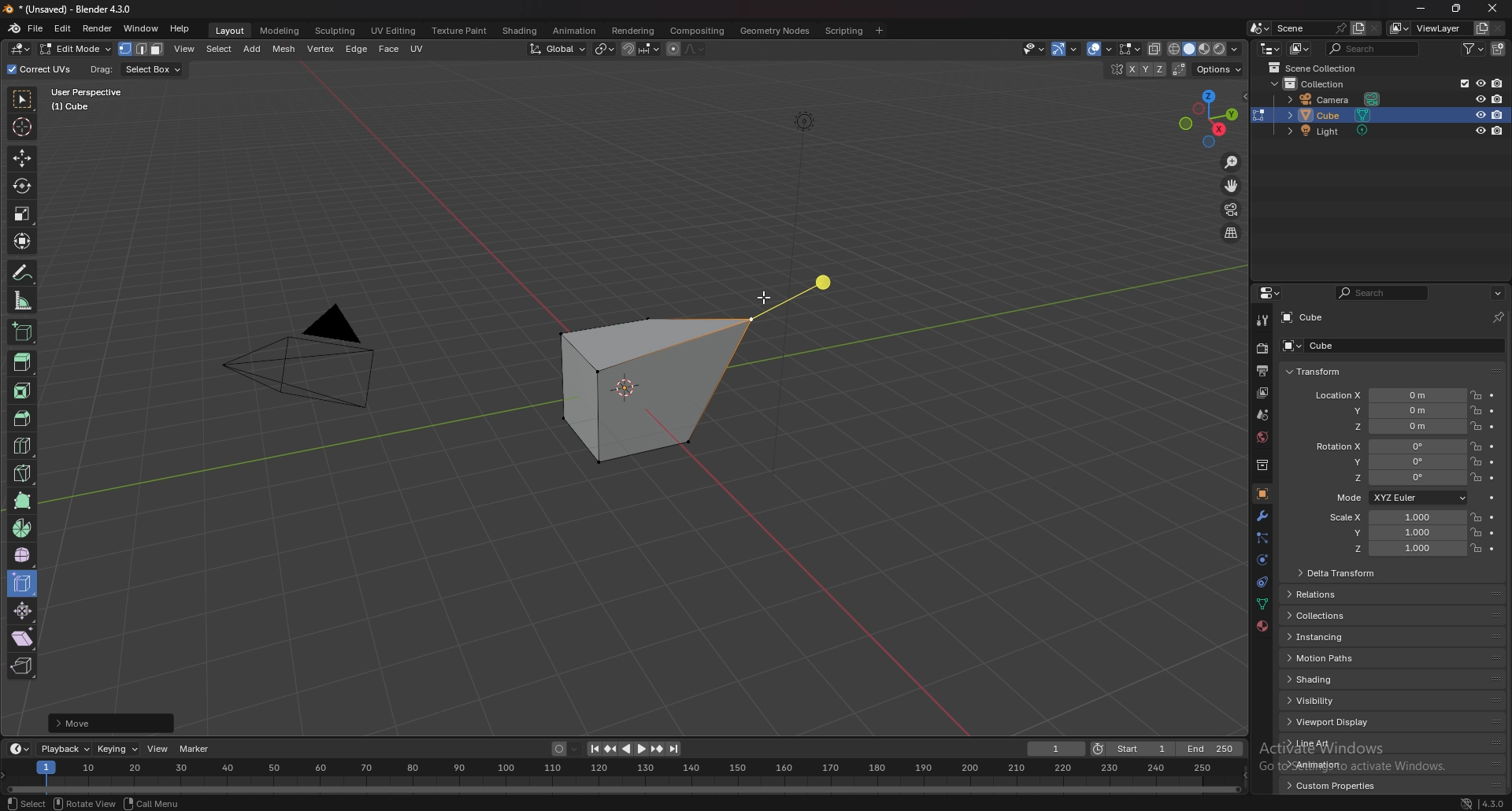 The height and width of the screenshot is (811, 1512). I want to click on correct uvs, so click(40, 69).